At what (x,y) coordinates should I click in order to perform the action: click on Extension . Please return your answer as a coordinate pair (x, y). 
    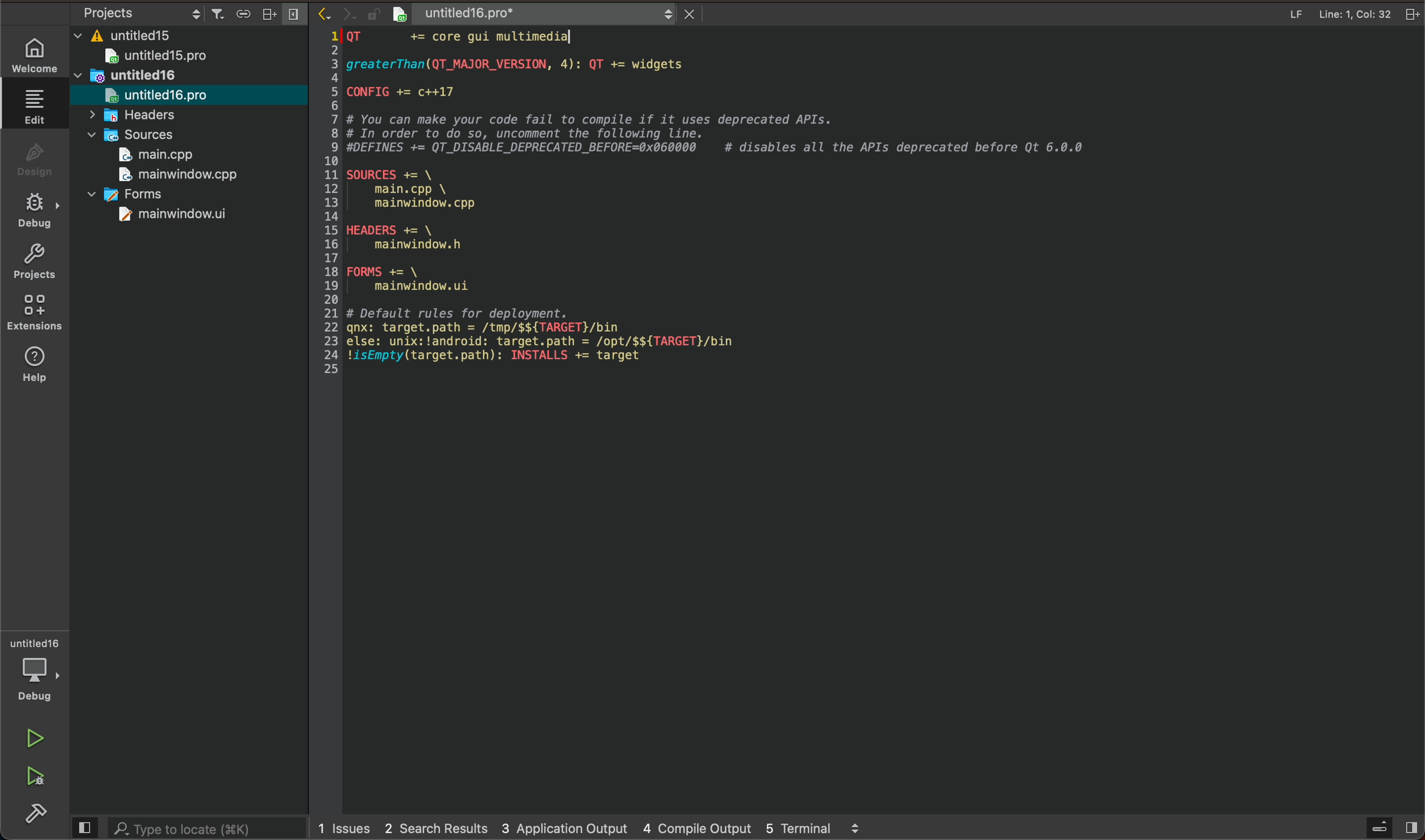
    Looking at the image, I should click on (38, 314).